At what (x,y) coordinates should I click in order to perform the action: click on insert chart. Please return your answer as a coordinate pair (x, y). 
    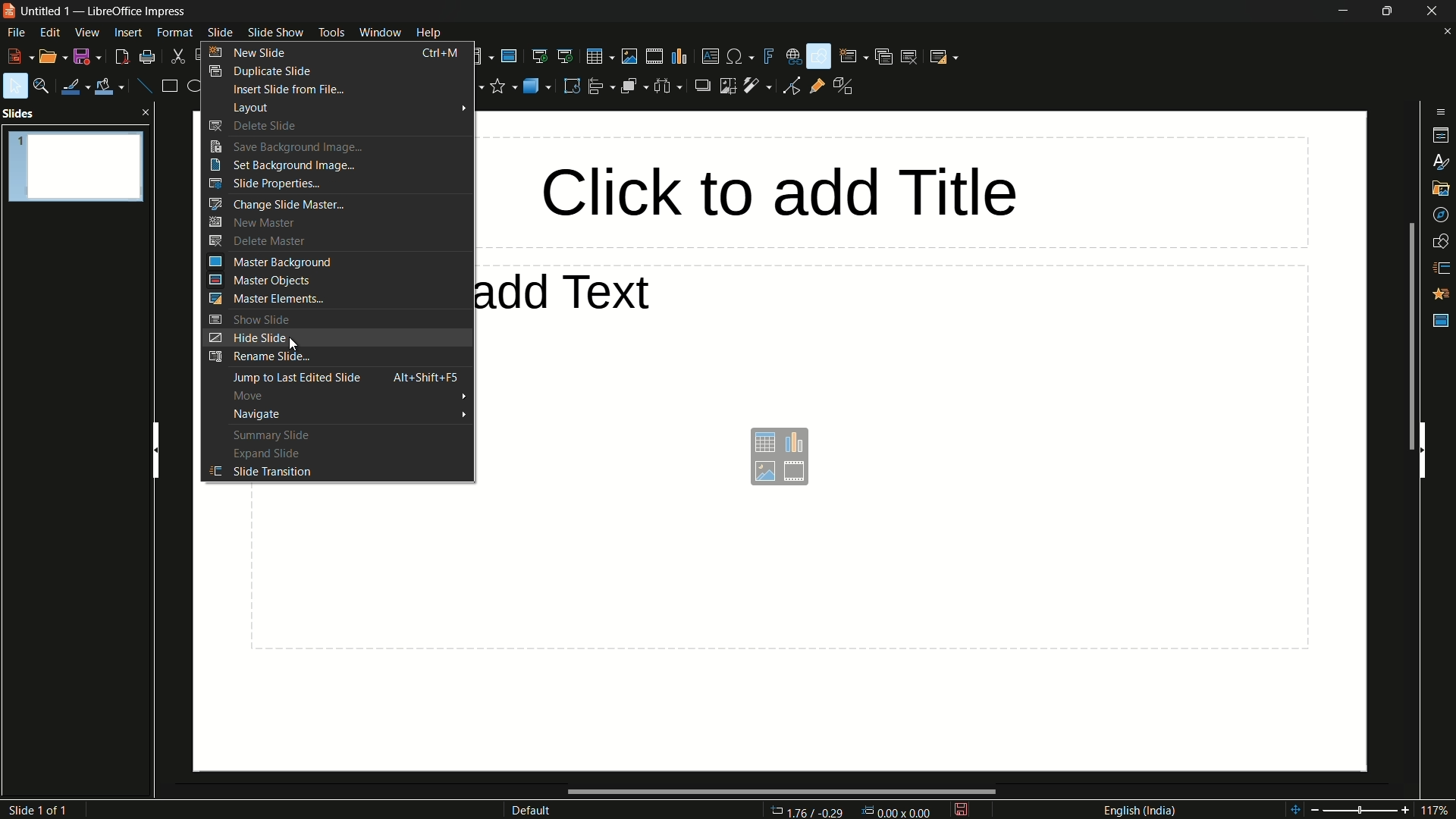
    Looking at the image, I should click on (794, 443).